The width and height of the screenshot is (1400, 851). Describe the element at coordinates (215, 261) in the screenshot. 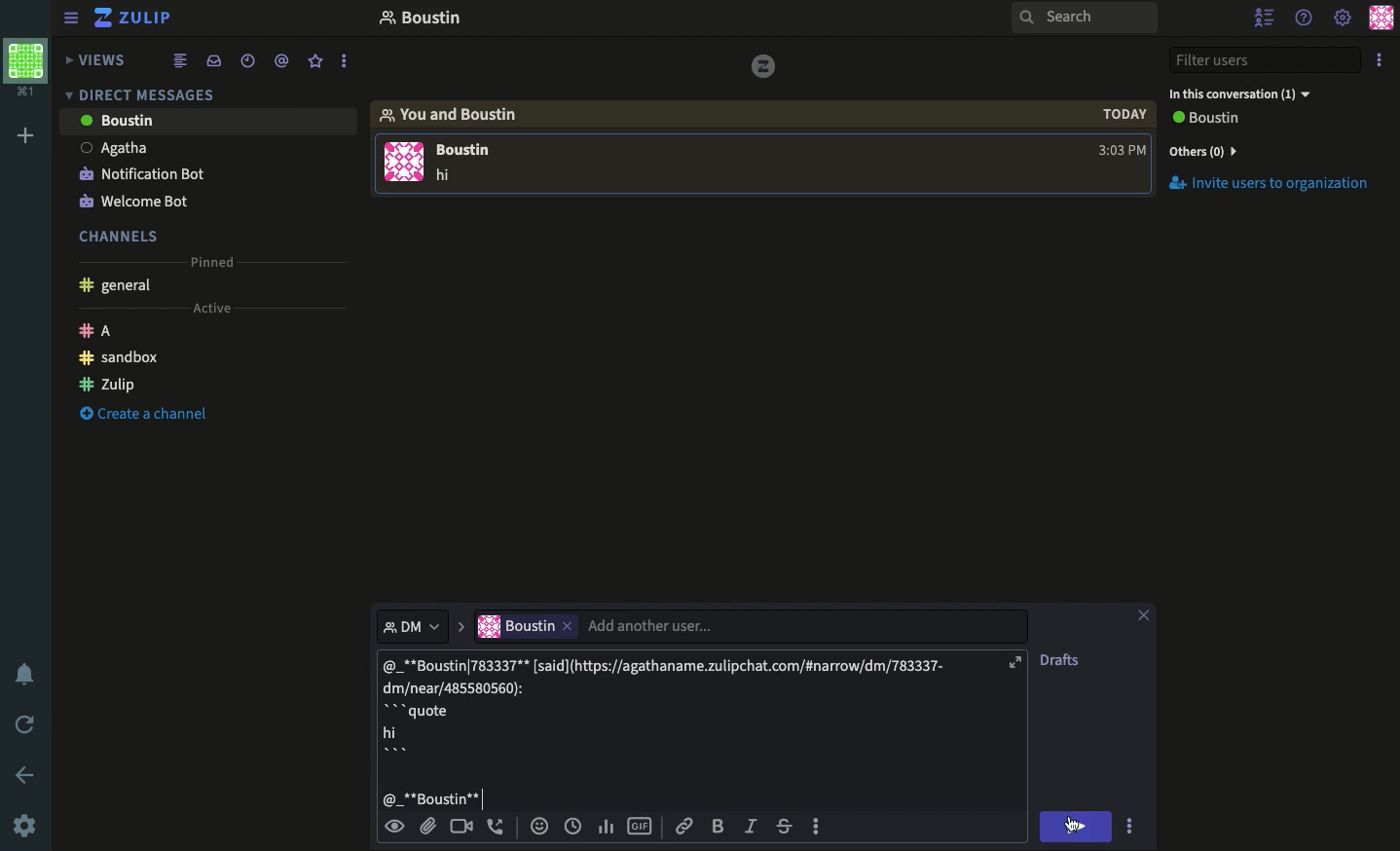

I see `Pinned` at that location.